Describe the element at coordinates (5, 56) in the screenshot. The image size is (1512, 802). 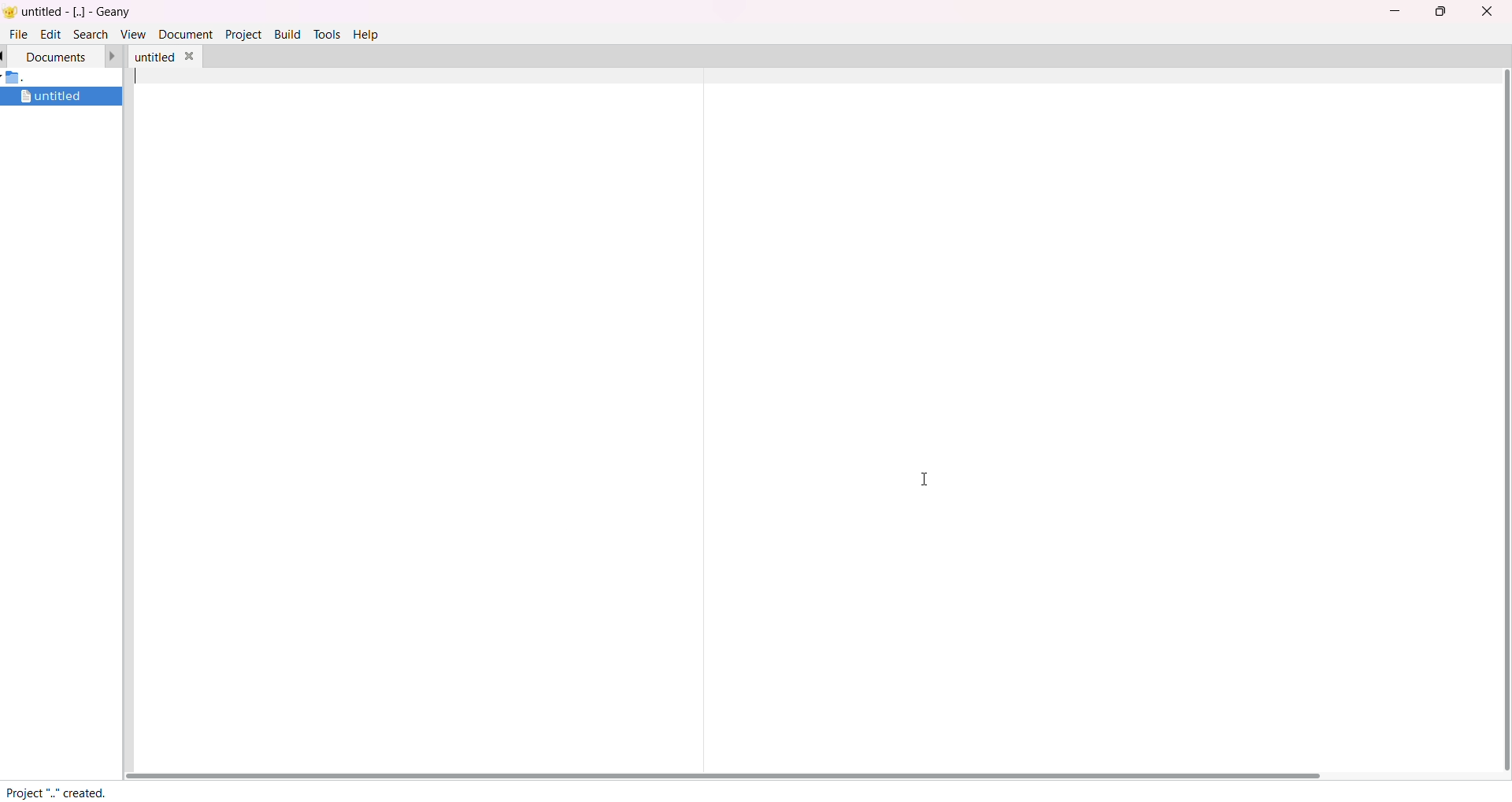
I see `back` at that location.